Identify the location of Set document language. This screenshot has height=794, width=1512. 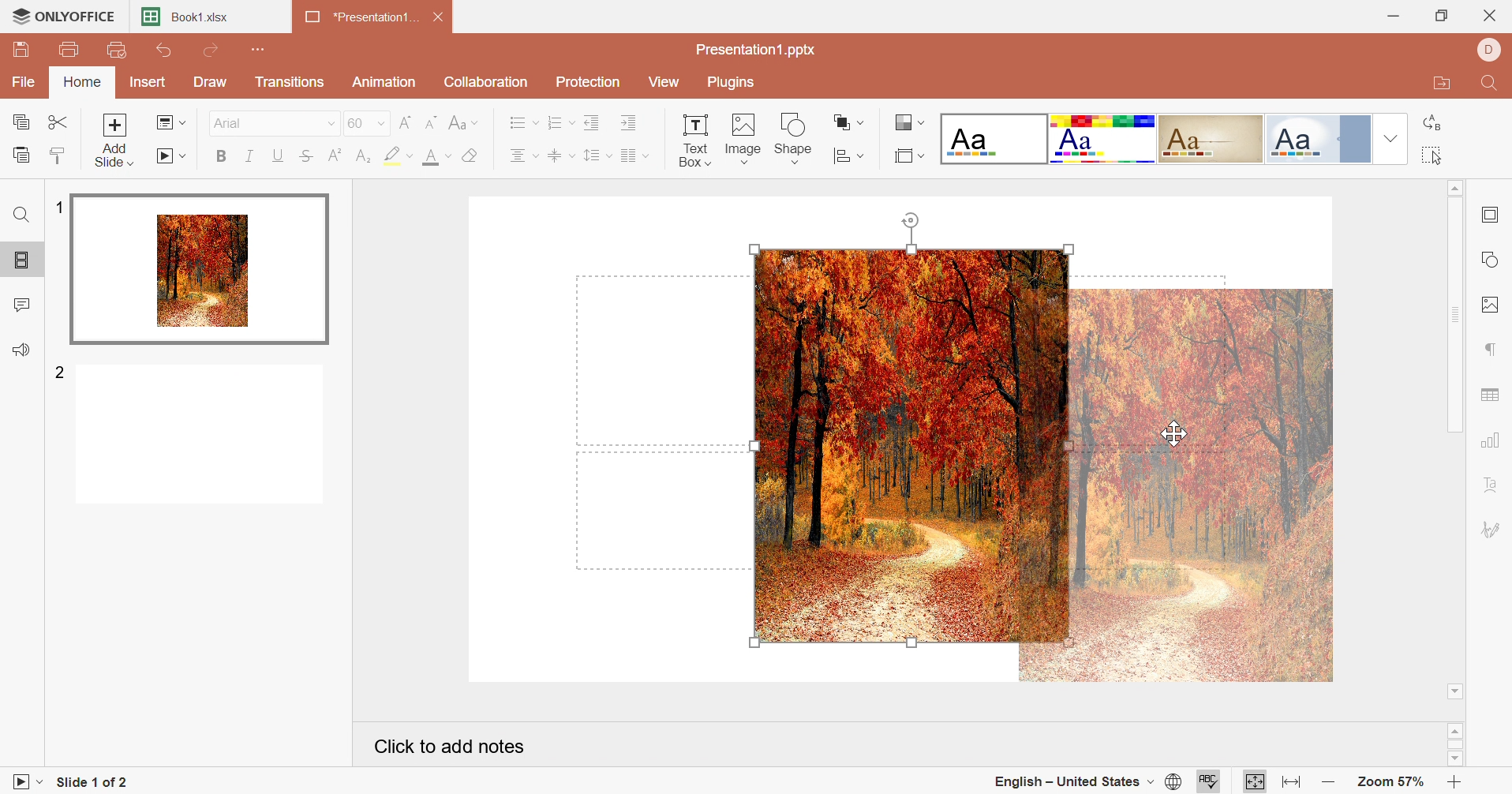
(1173, 784).